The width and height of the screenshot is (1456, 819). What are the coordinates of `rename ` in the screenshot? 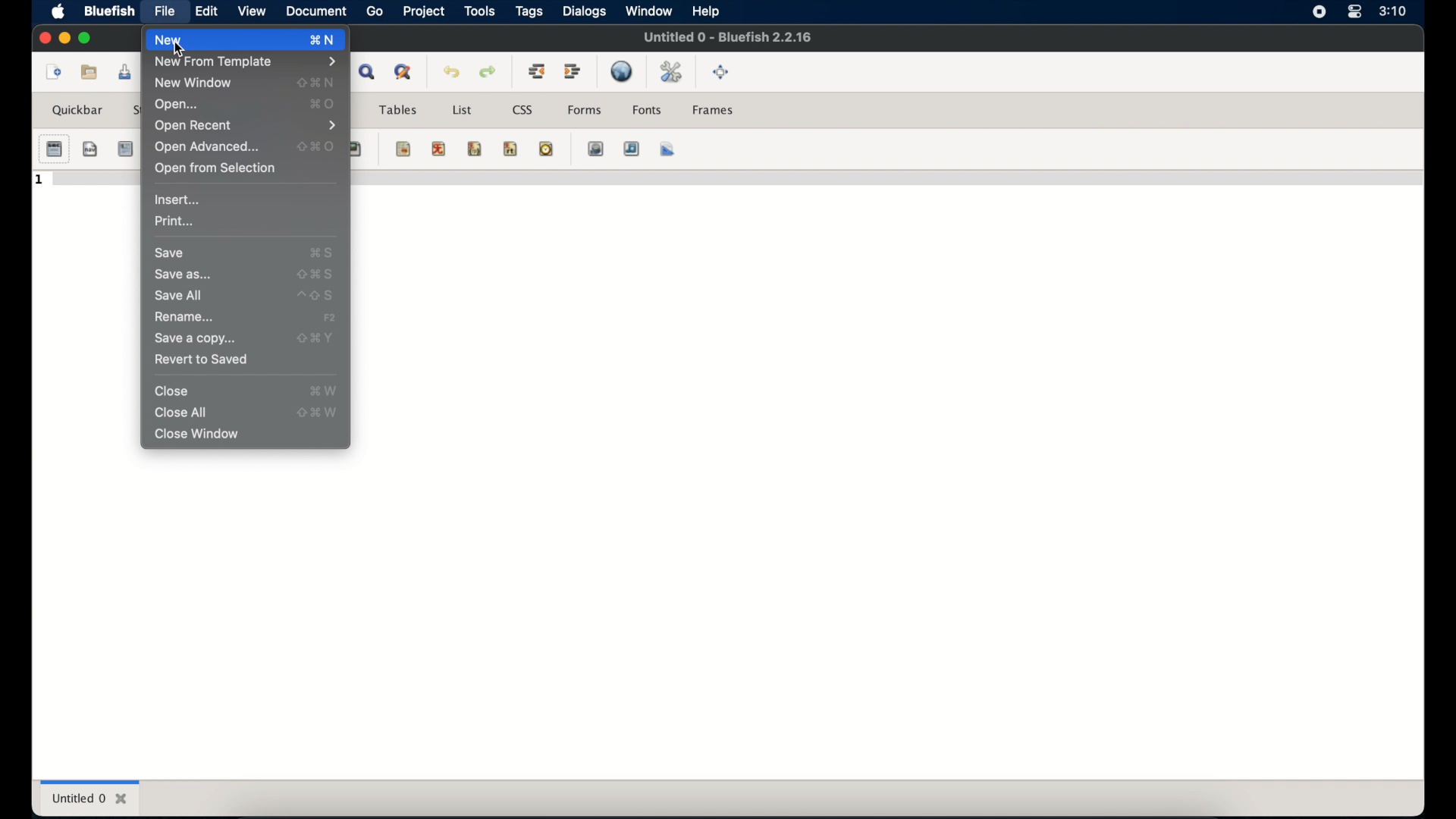 It's located at (184, 317).